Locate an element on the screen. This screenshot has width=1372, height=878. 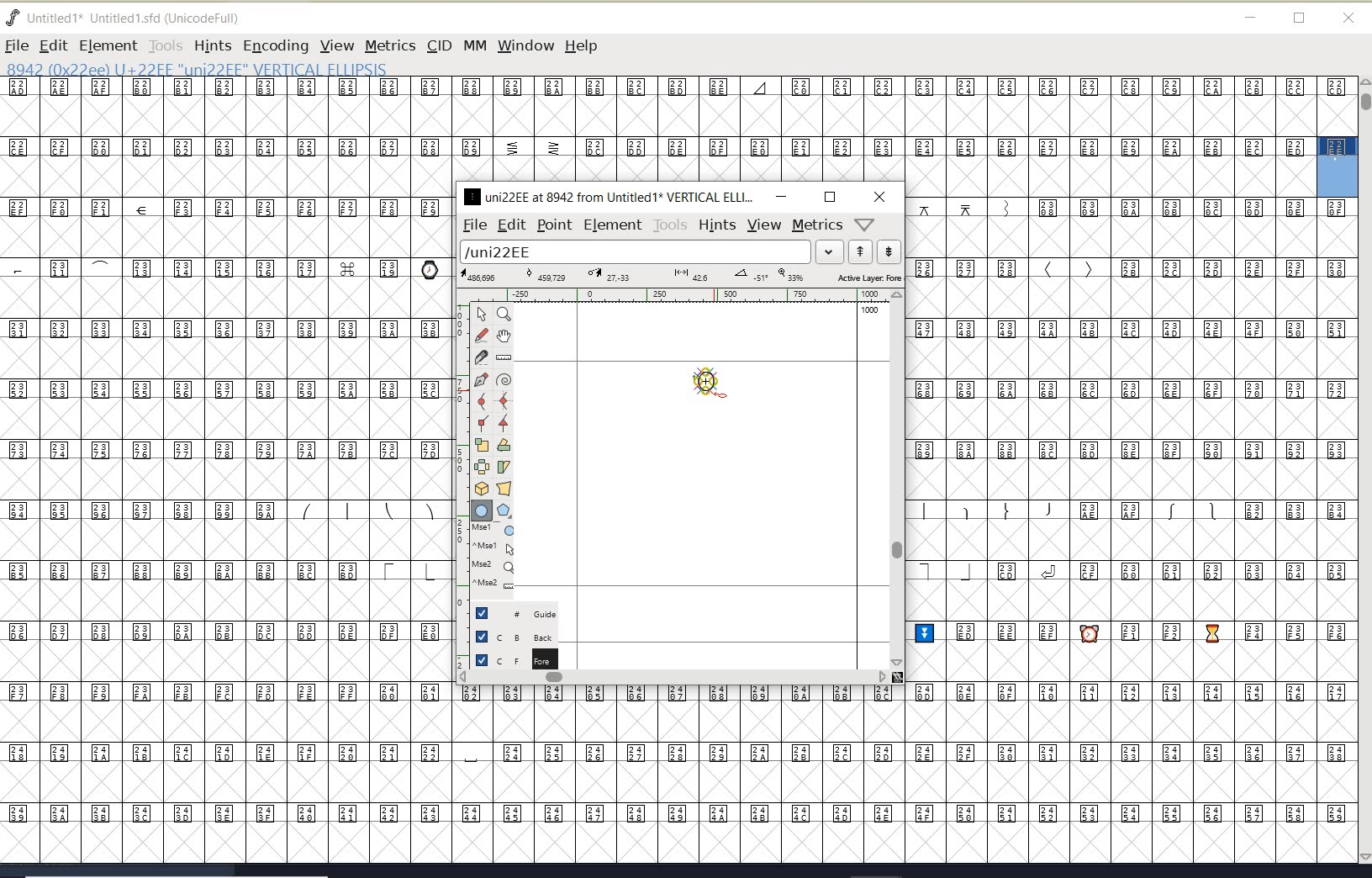
flip the selection is located at coordinates (482, 467).